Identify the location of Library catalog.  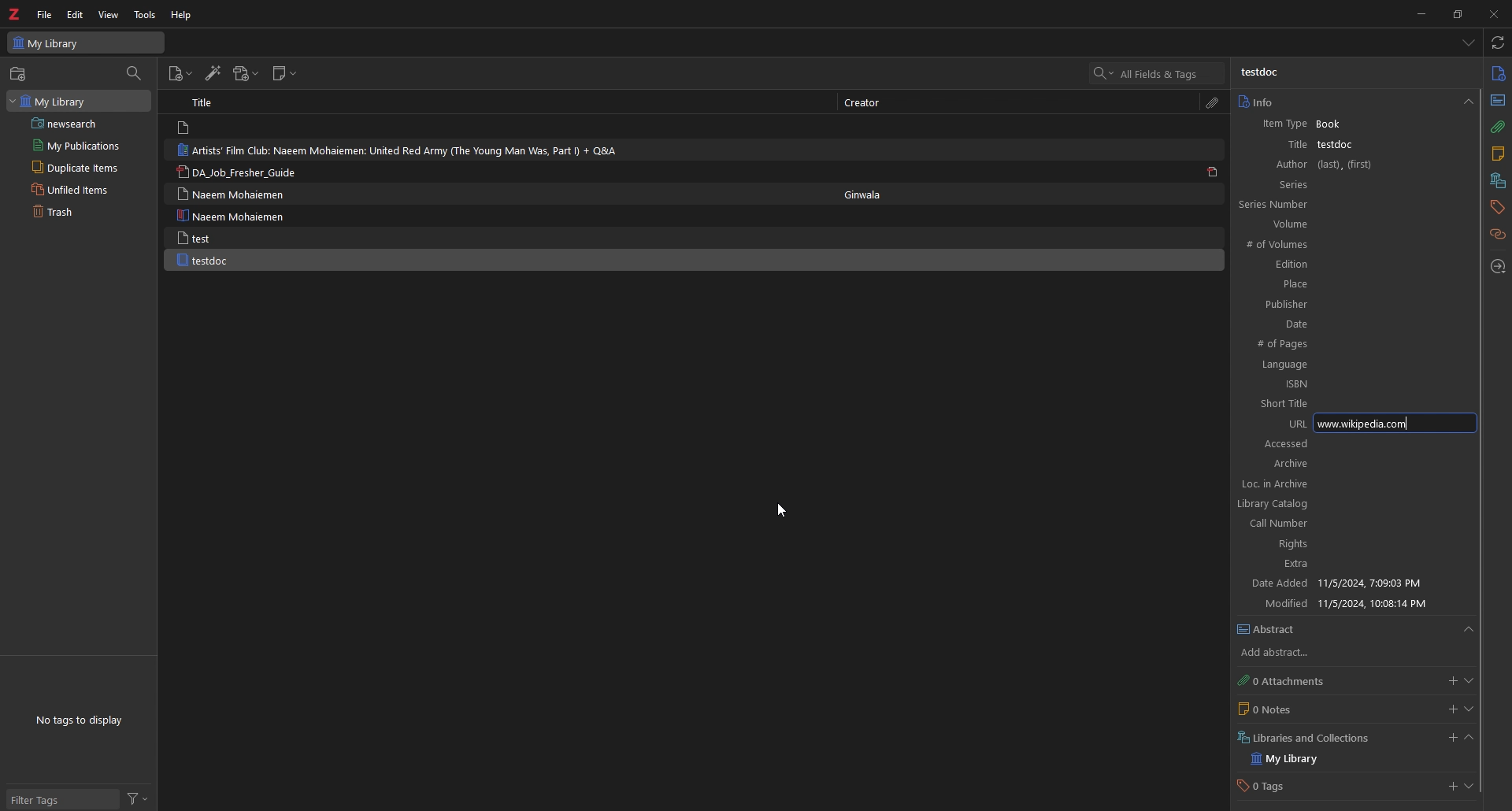
(1345, 505).